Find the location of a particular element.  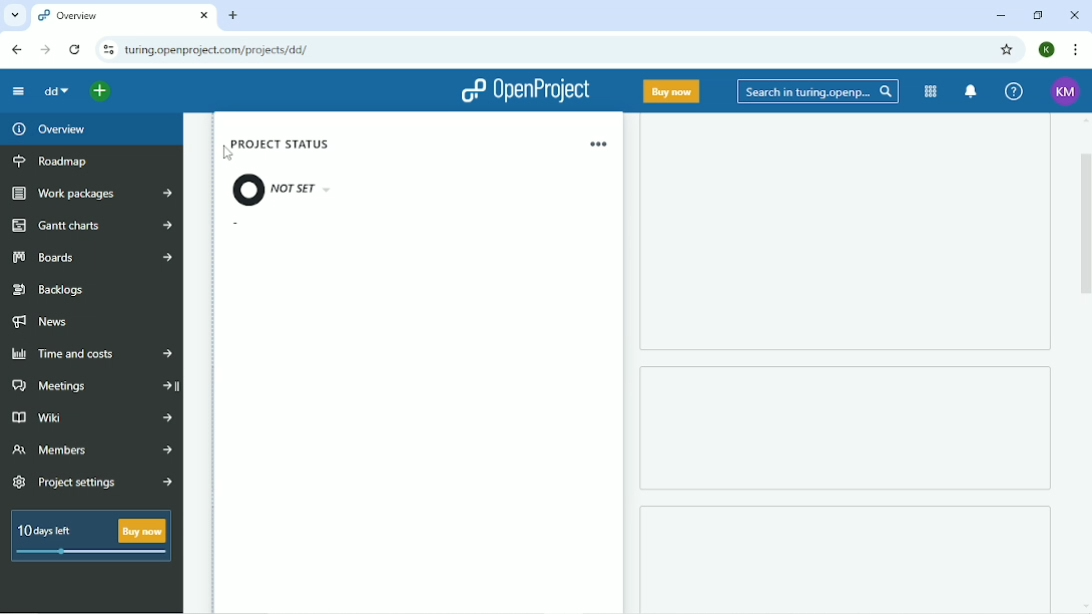

Collapse project menu is located at coordinates (19, 92).